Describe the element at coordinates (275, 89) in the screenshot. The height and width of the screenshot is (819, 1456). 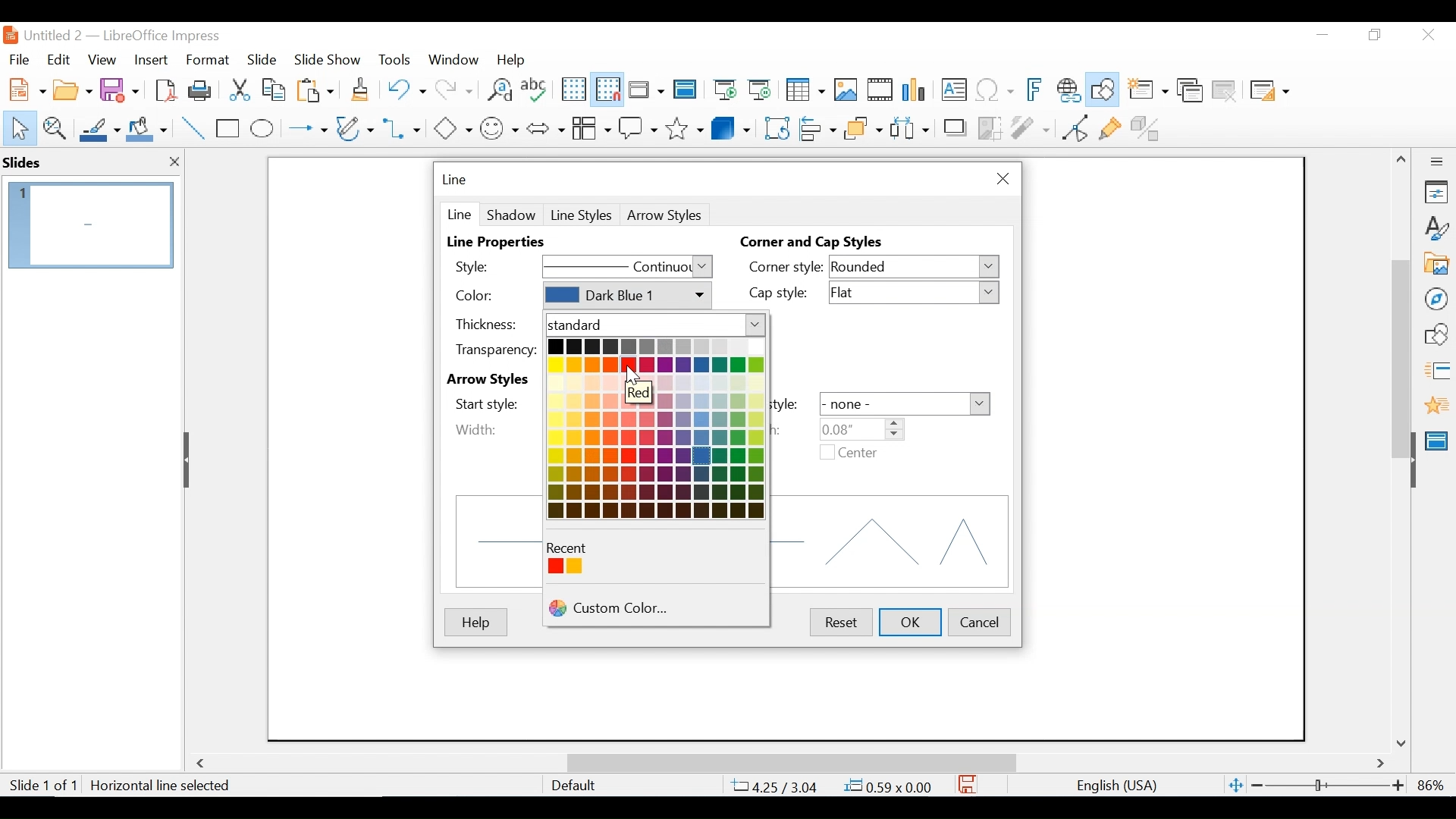
I see `Copy` at that location.